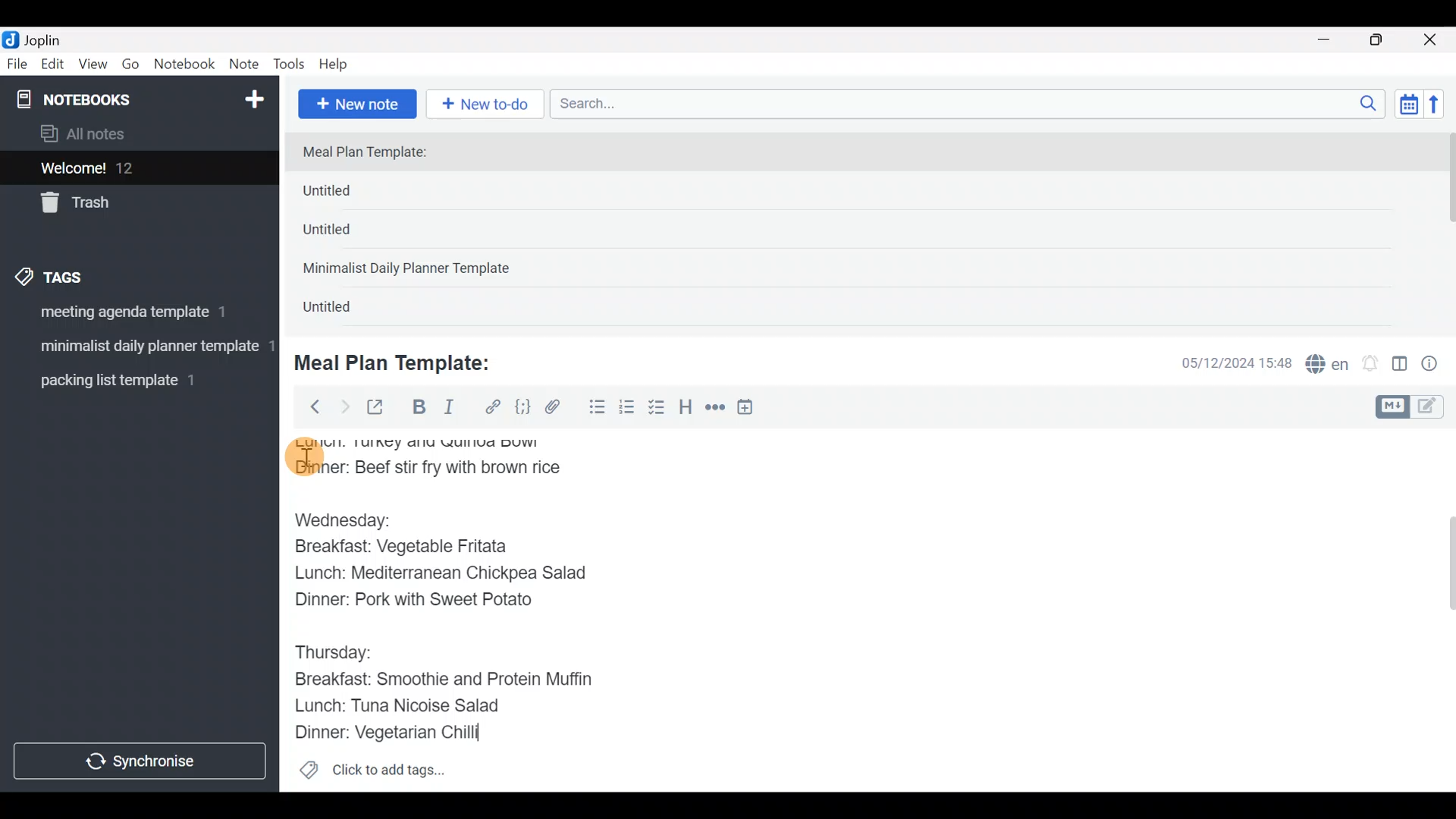  Describe the element at coordinates (1401, 366) in the screenshot. I see `Toggle editor layout` at that location.